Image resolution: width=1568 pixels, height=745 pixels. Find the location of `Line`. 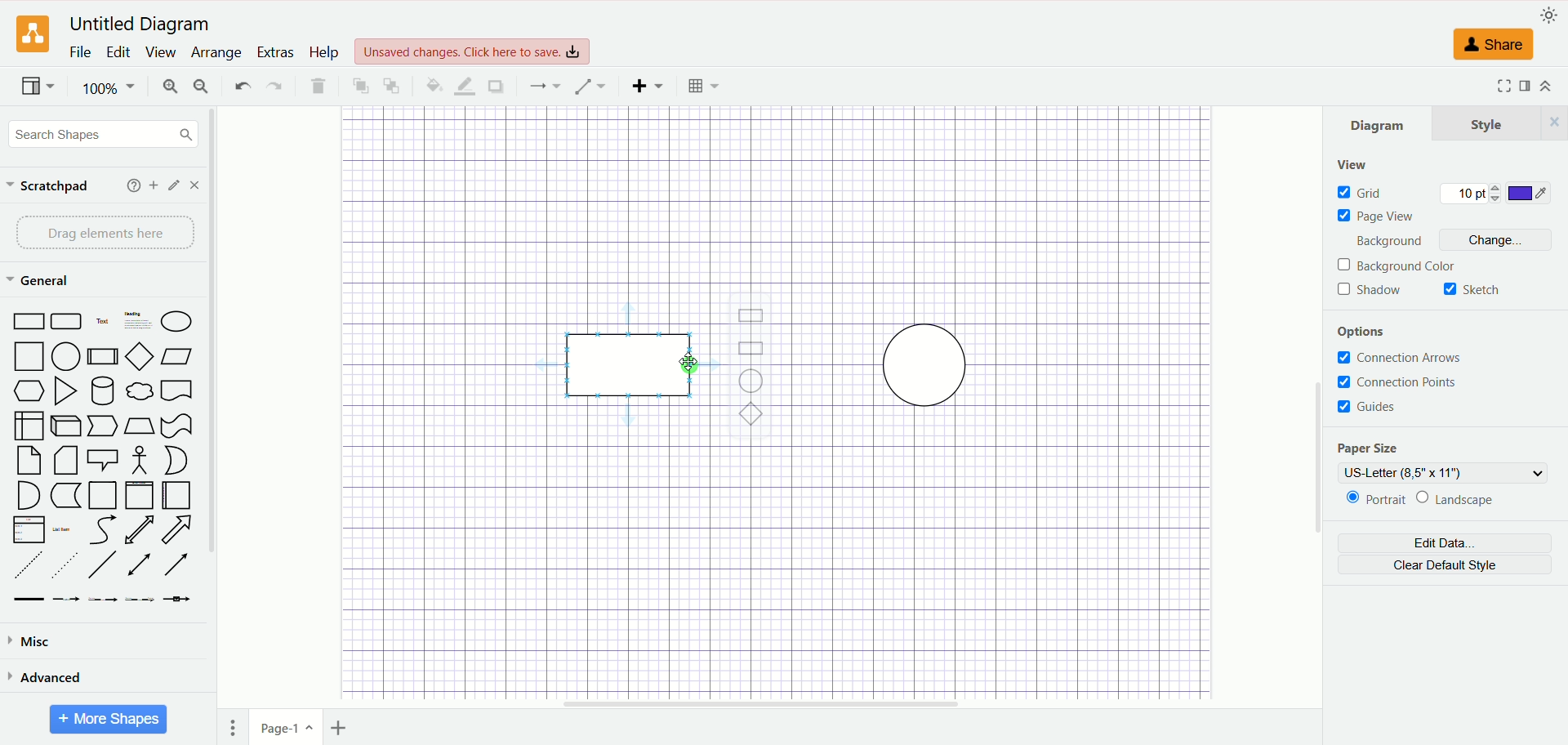

Line is located at coordinates (104, 565).